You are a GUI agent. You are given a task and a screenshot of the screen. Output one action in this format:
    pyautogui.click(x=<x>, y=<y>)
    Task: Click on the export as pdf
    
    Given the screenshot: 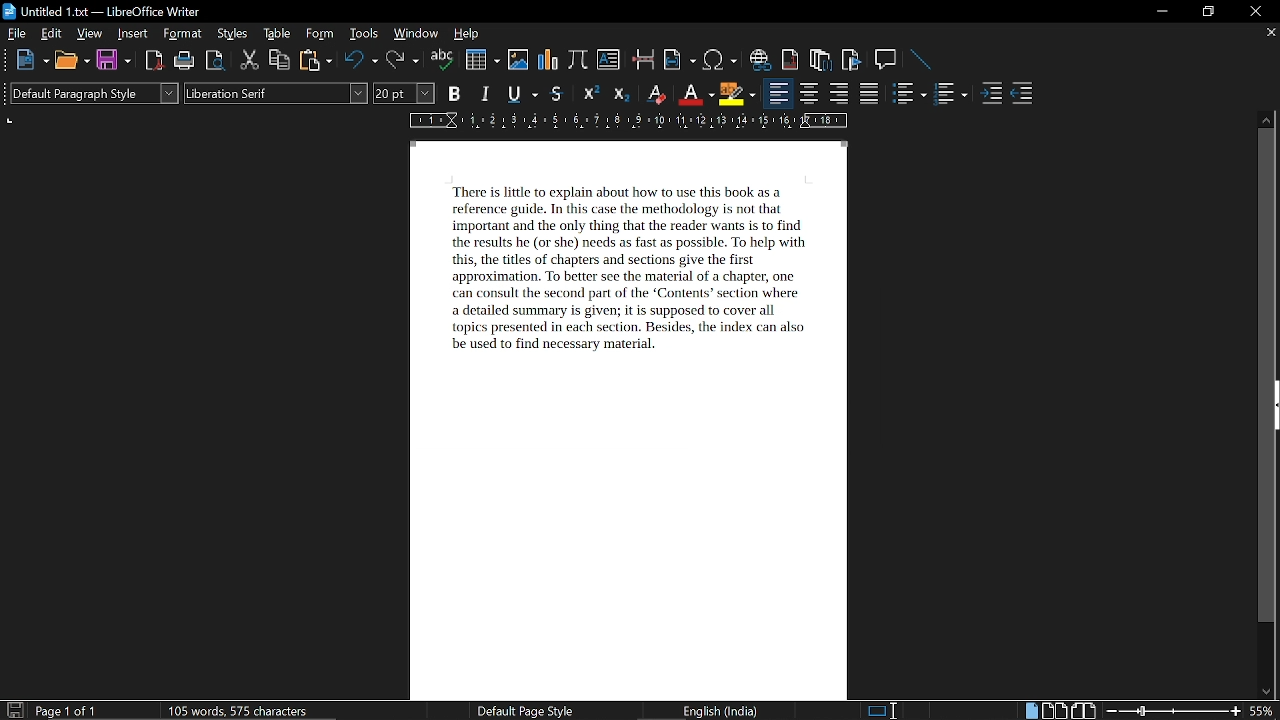 What is the action you would take?
    pyautogui.click(x=155, y=60)
    